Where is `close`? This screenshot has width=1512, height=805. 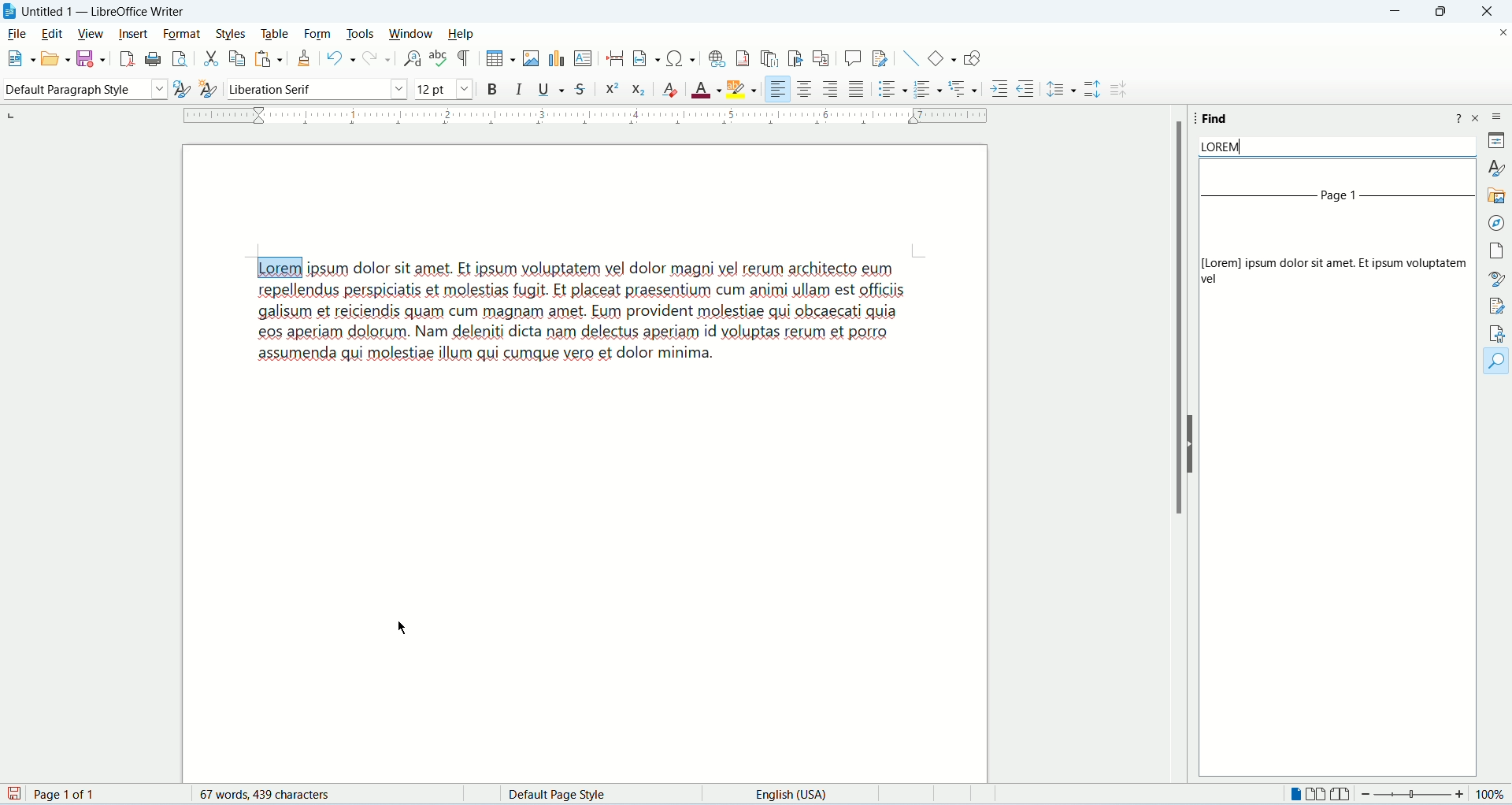 close is located at coordinates (1487, 13).